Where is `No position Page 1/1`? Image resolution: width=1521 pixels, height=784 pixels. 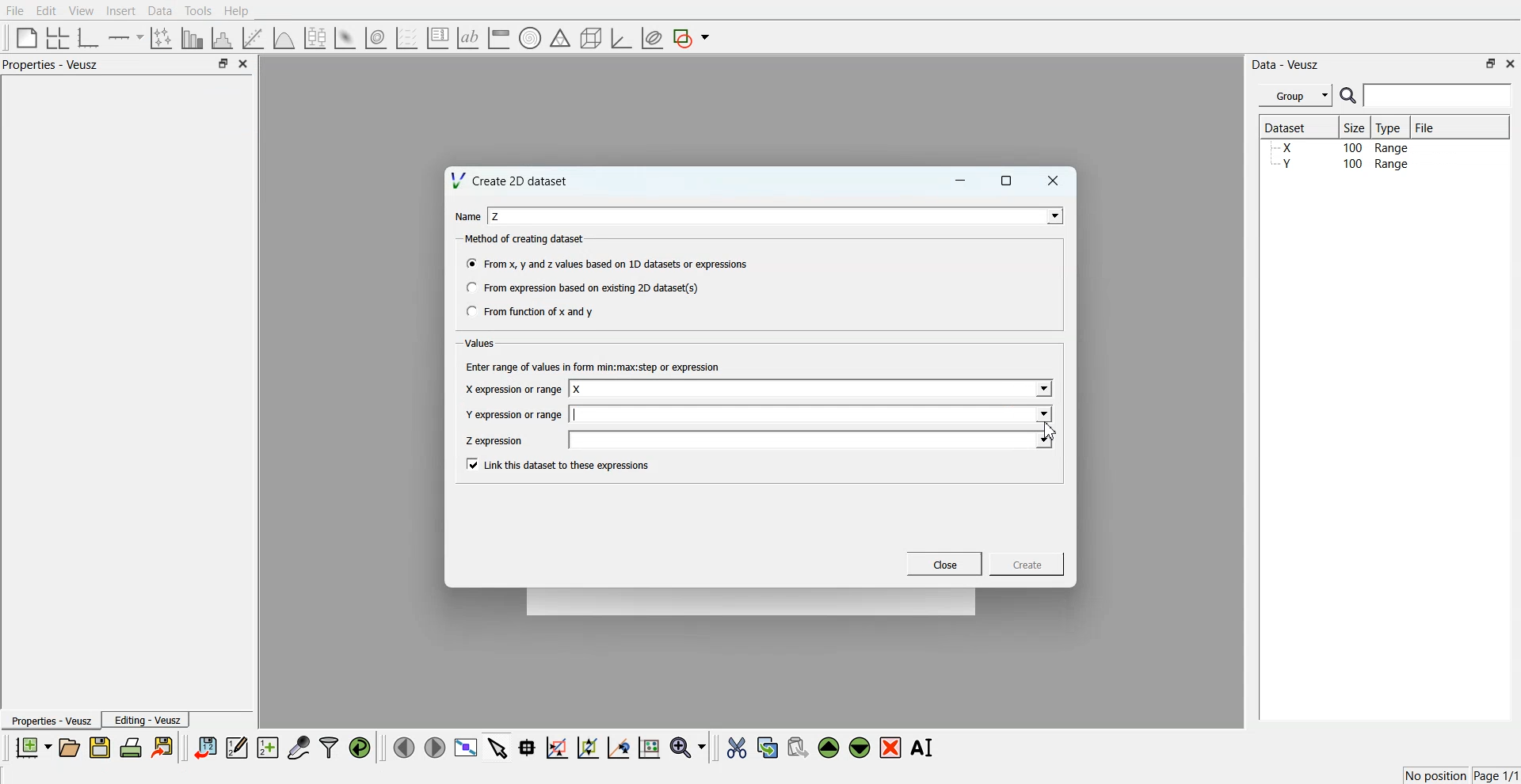 No position Page 1/1 is located at coordinates (1461, 775).